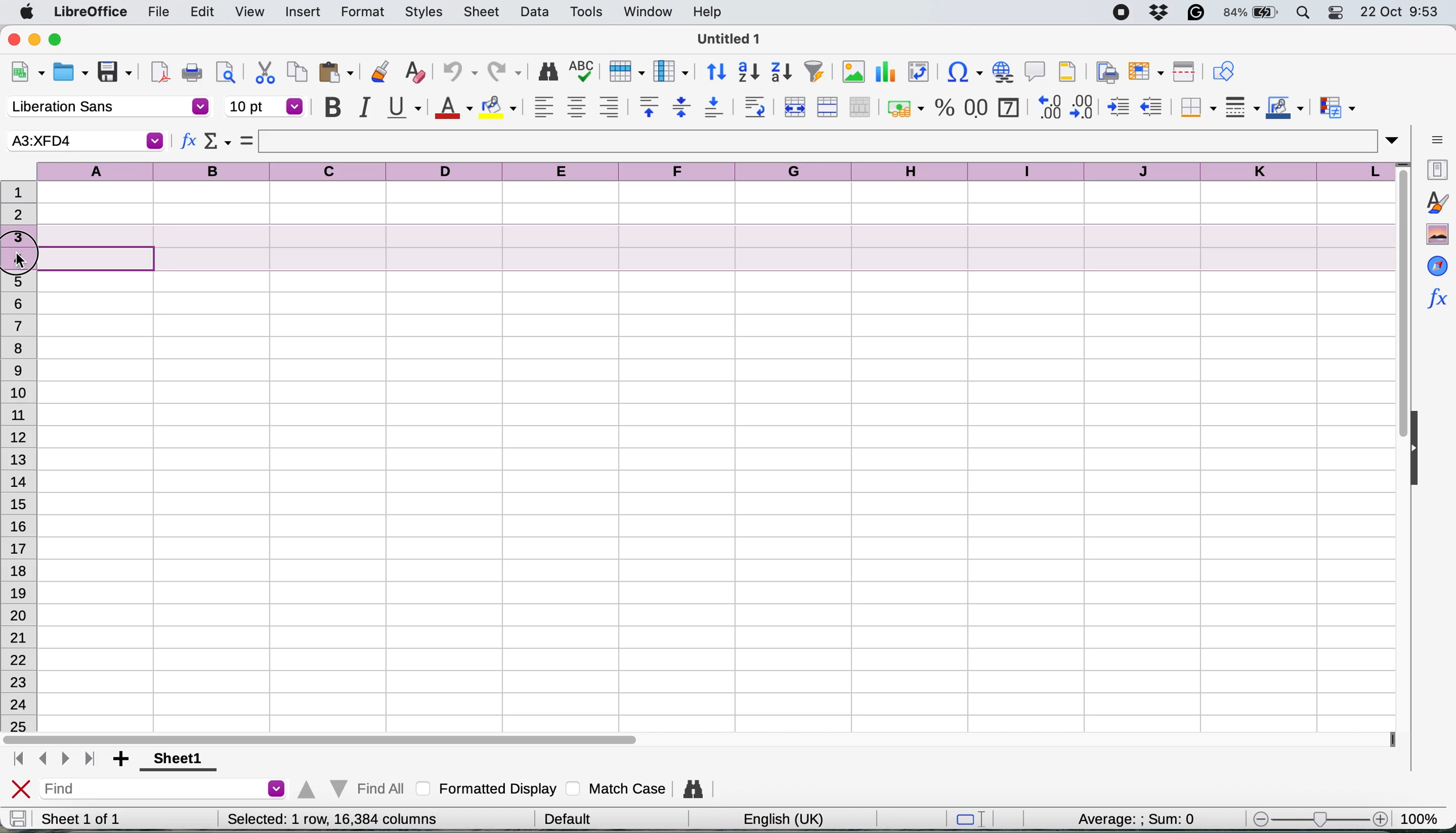 The image size is (1456, 833). What do you see at coordinates (23, 261) in the screenshot?
I see `cursor` at bounding box center [23, 261].